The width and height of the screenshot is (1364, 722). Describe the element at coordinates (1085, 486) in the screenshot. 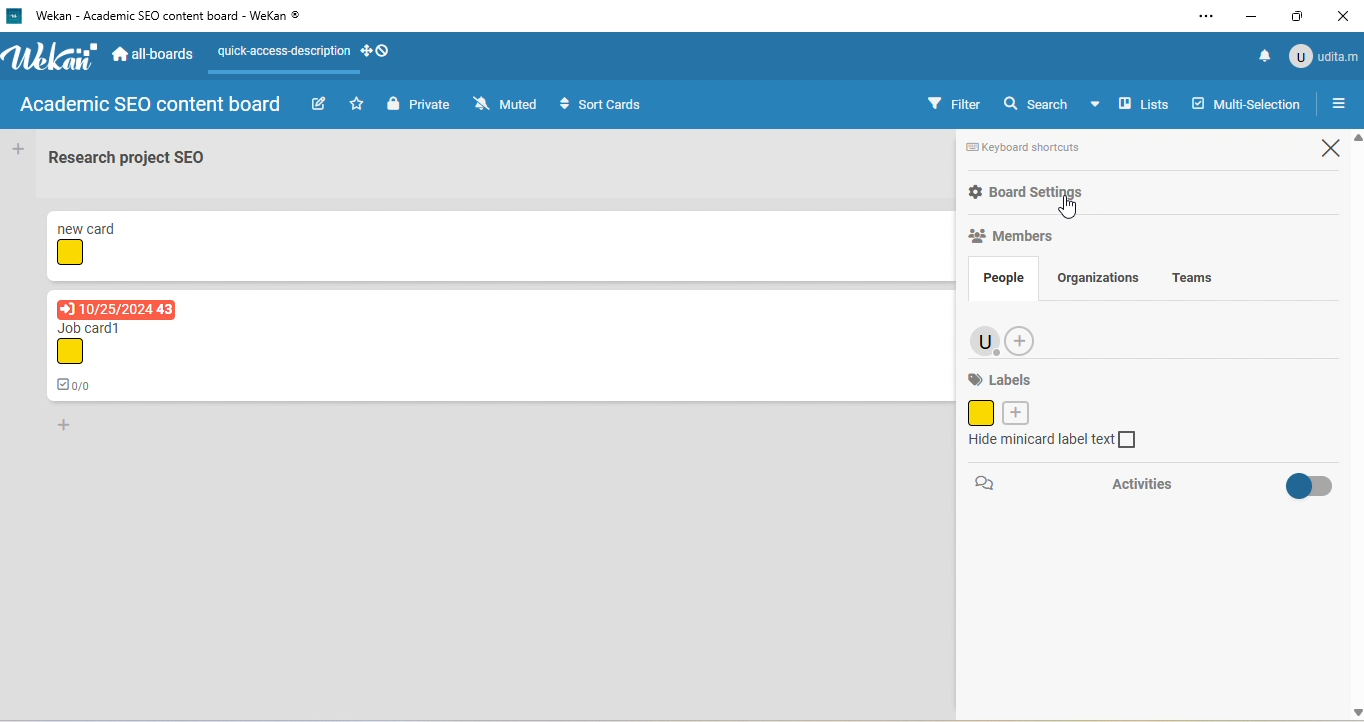

I see `activities` at that location.